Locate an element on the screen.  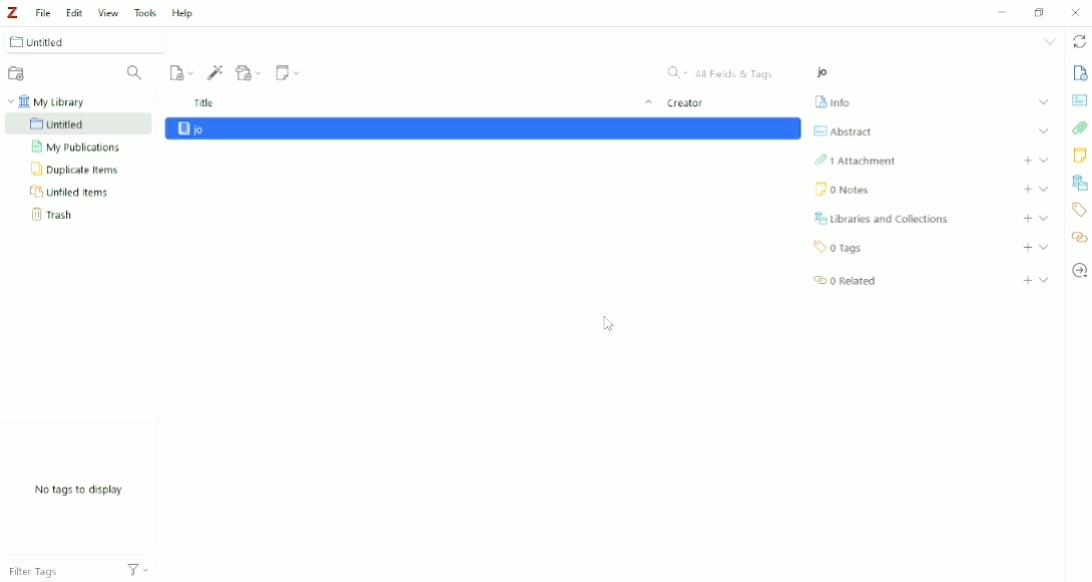
View is located at coordinates (109, 12).